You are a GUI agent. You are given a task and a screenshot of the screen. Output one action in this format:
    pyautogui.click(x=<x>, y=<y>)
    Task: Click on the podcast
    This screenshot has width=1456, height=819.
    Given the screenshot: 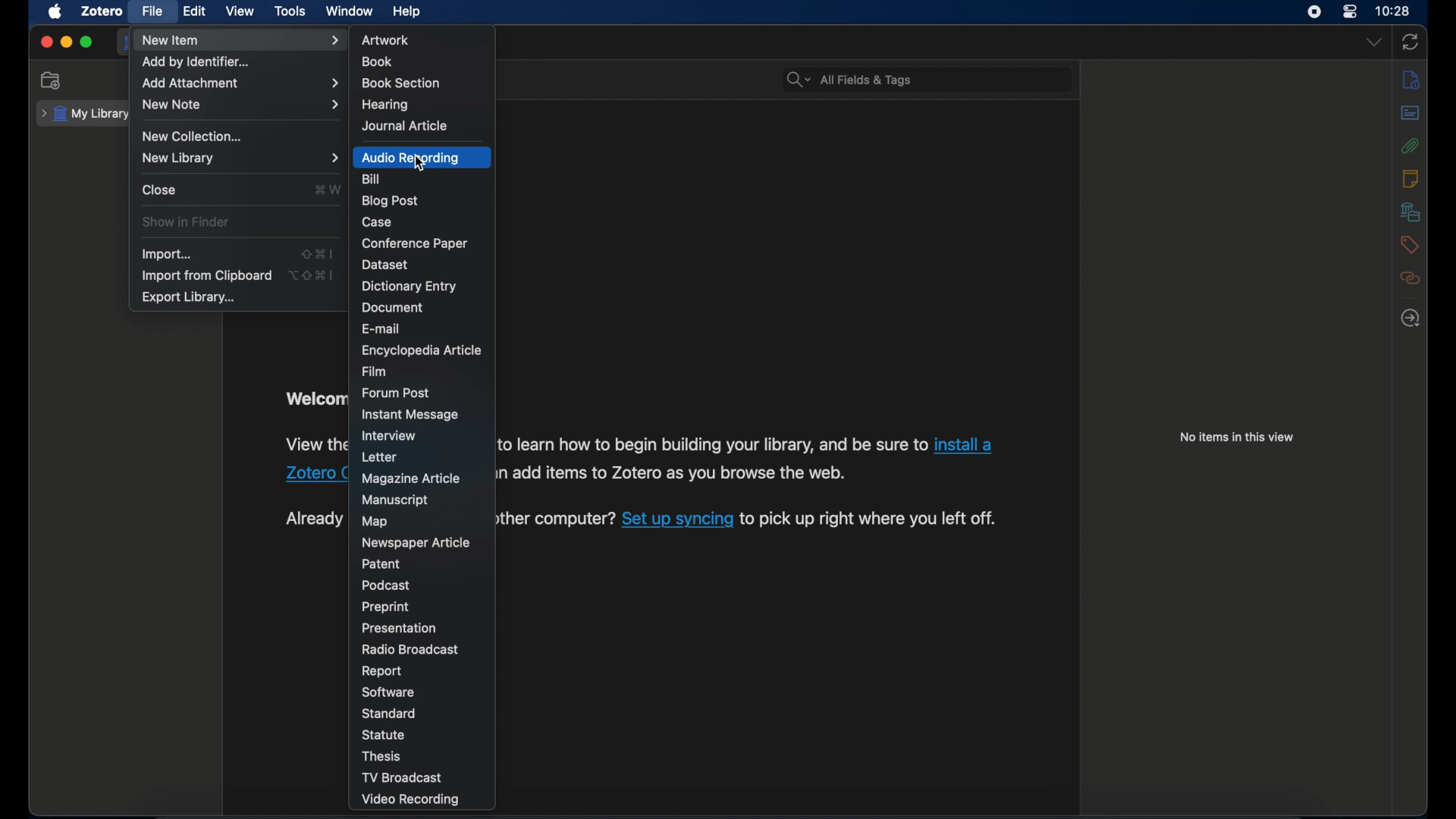 What is the action you would take?
    pyautogui.click(x=385, y=585)
    